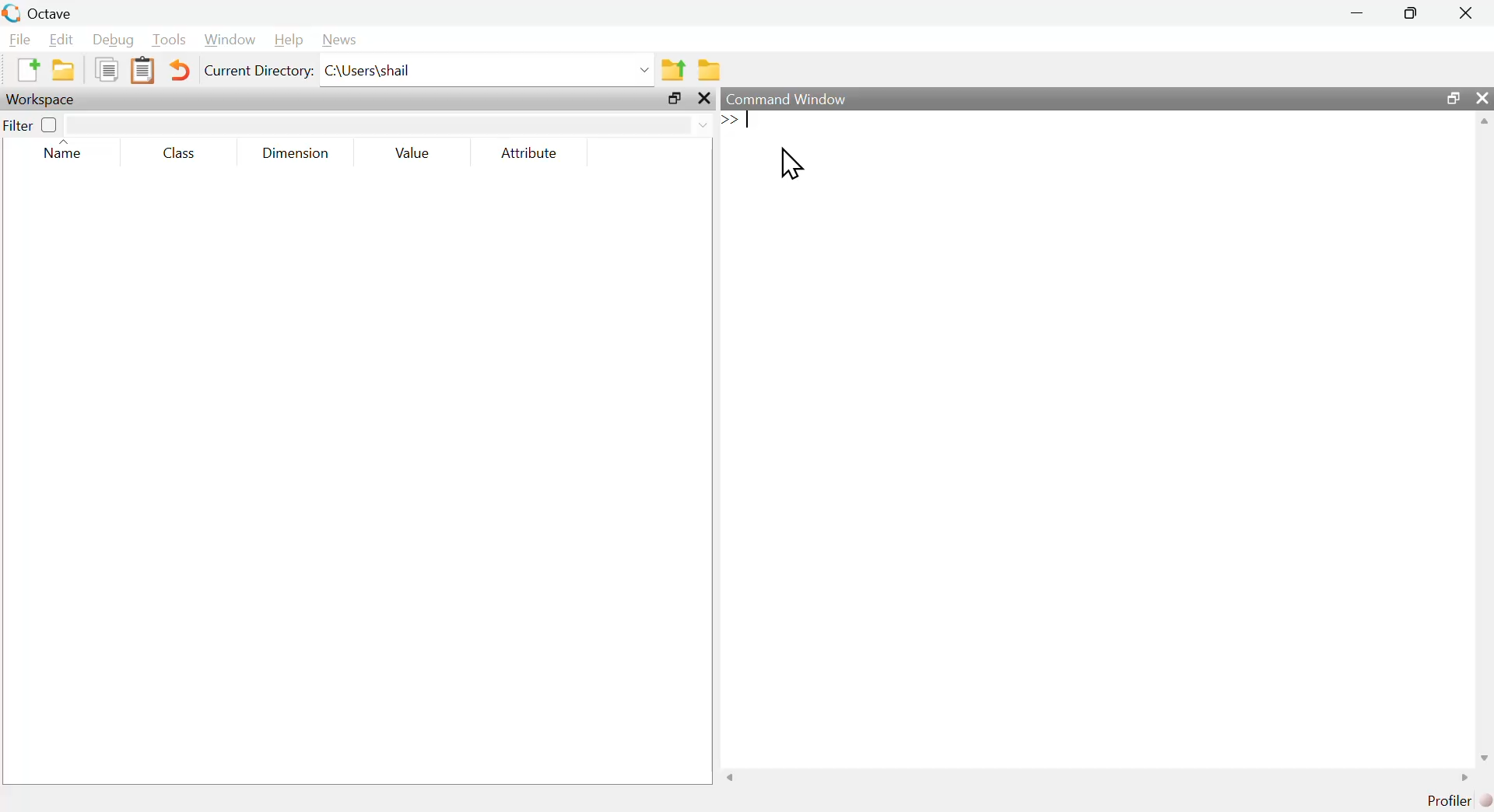 The image size is (1494, 812). Describe the element at coordinates (794, 164) in the screenshot. I see `cursor` at that location.